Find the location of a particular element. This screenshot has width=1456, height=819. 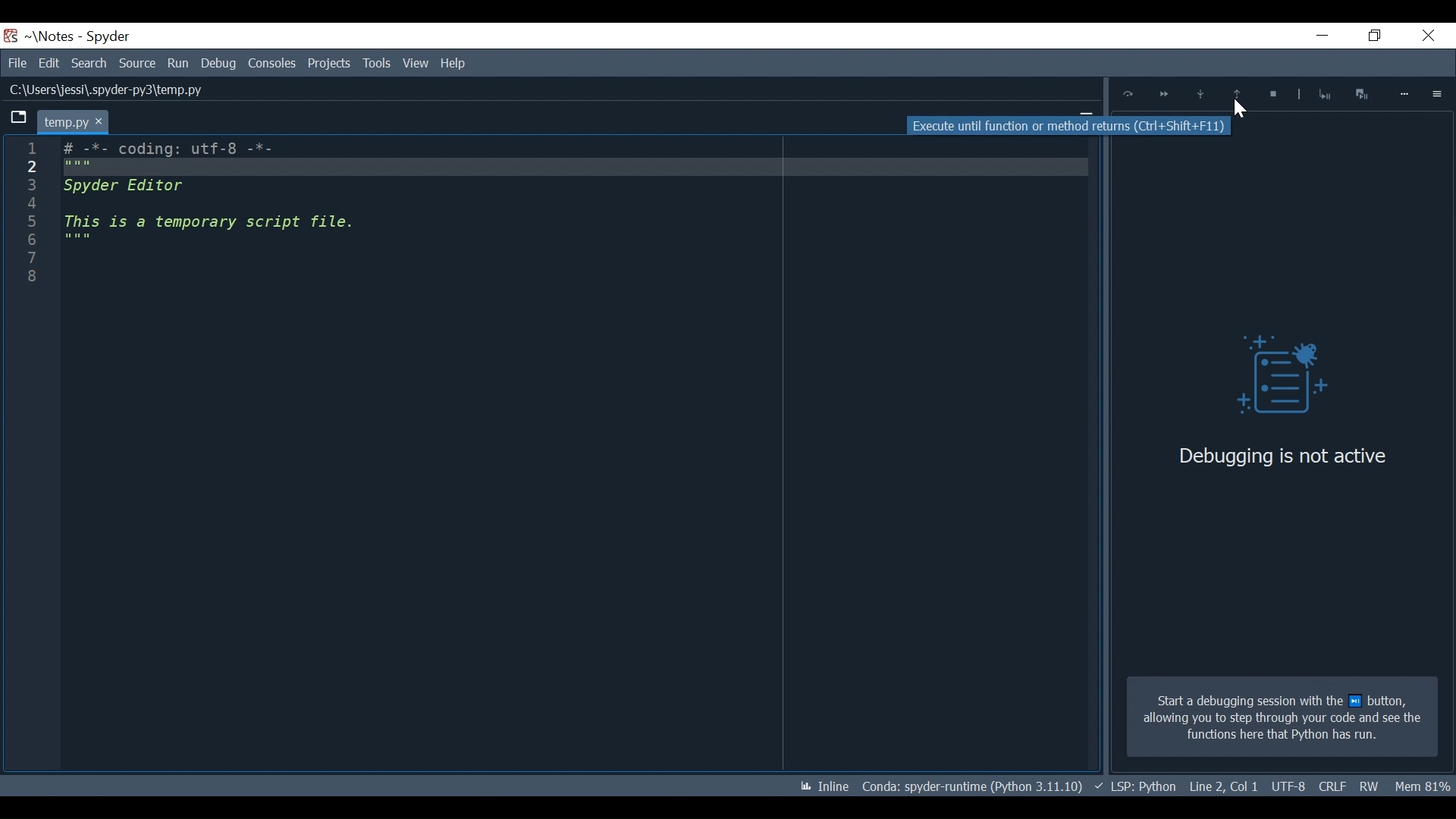

File Encoding is located at coordinates (1332, 787).